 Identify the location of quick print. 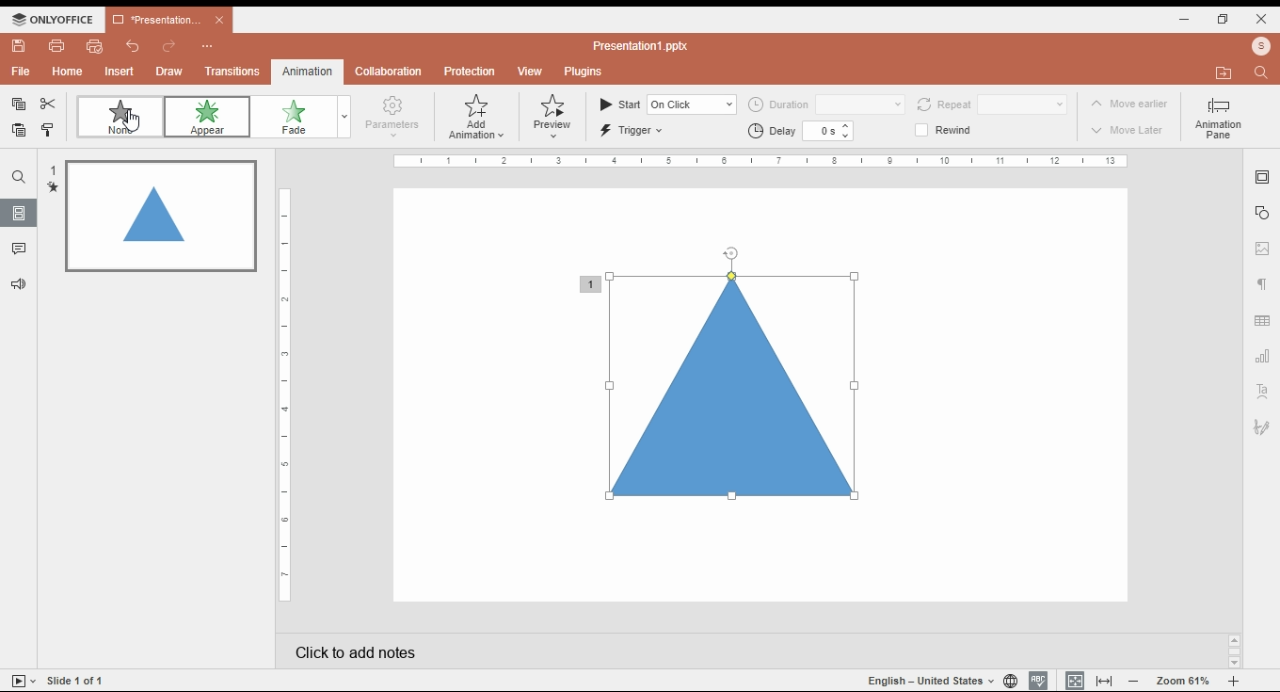
(93, 47).